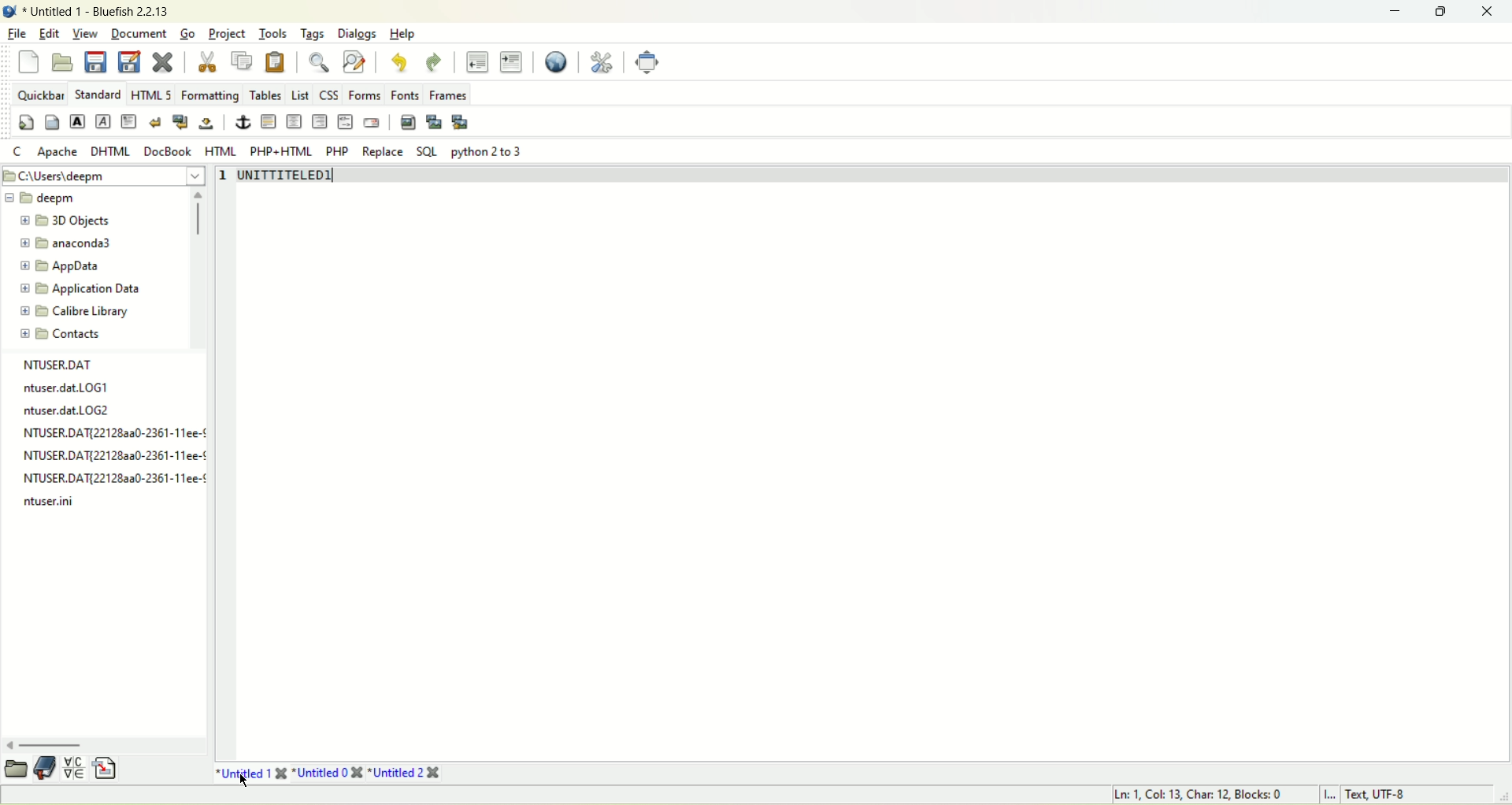  What do you see at coordinates (556, 62) in the screenshot?
I see `preview in browser` at bounding box center [556, 62].